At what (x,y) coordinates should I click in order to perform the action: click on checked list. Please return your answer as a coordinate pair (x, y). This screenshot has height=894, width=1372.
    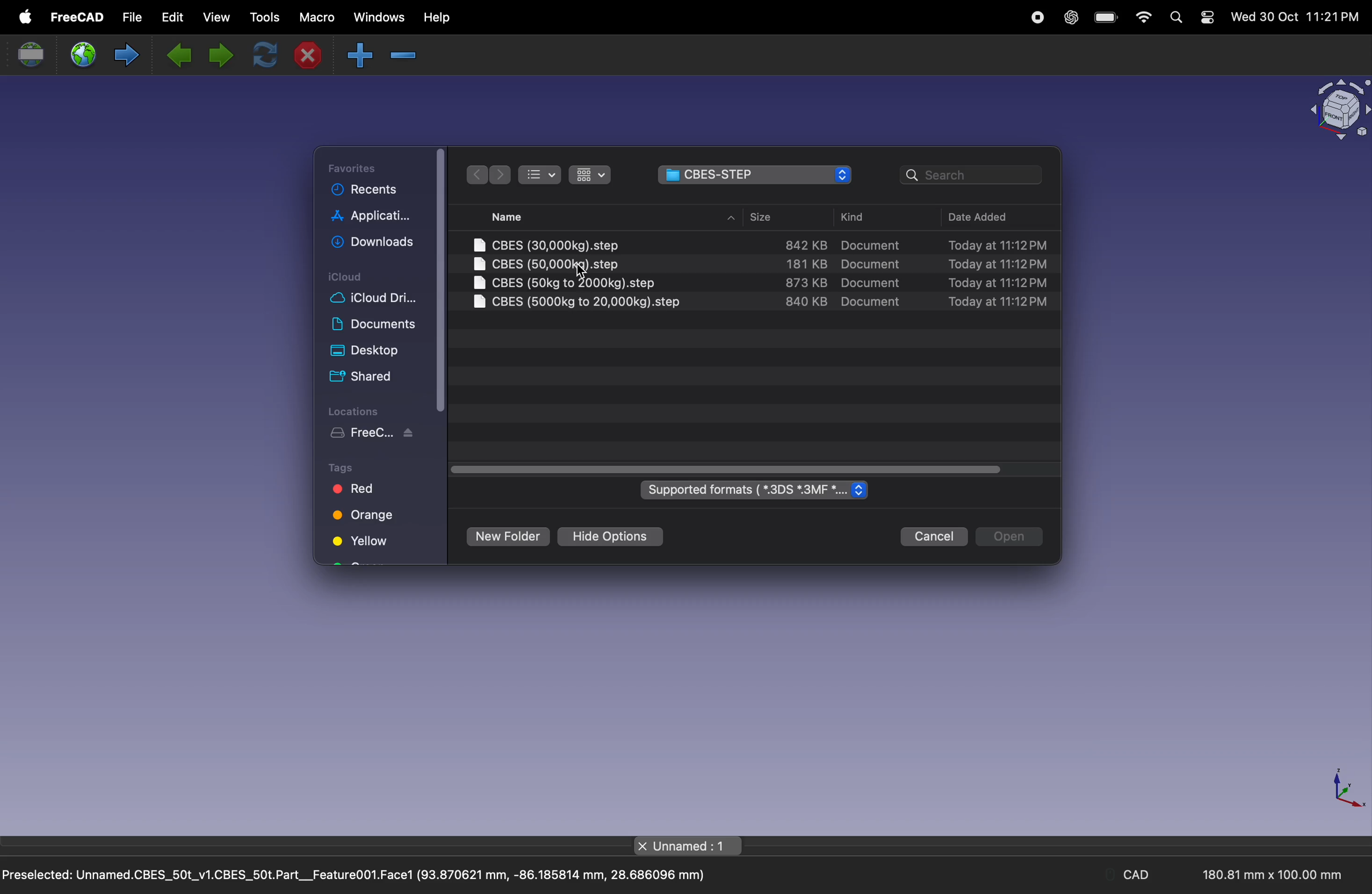
    Looking at the image, I should click on (592, 176).